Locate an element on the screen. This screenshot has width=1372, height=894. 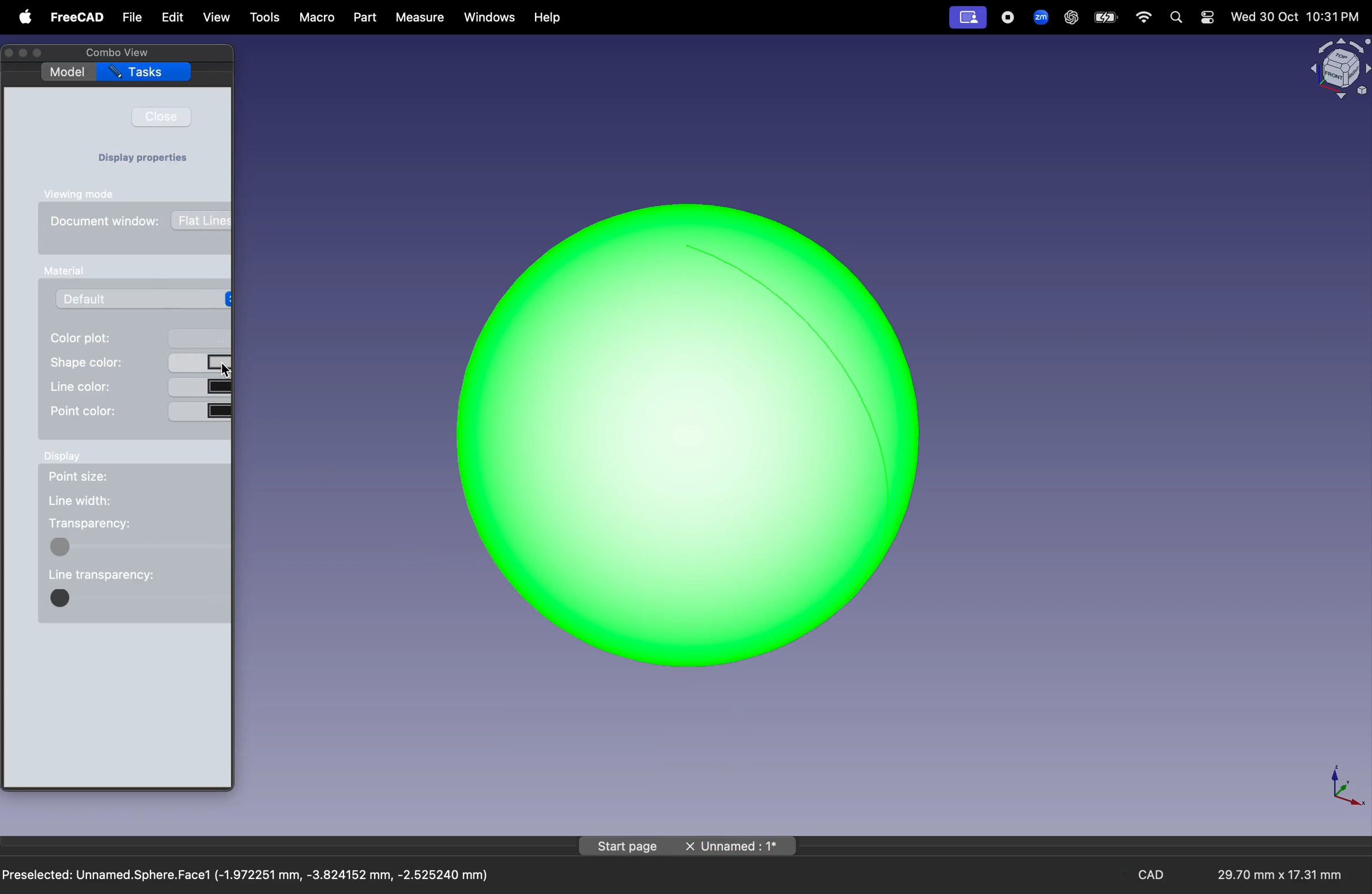
default is located at coordinates (141, 298).